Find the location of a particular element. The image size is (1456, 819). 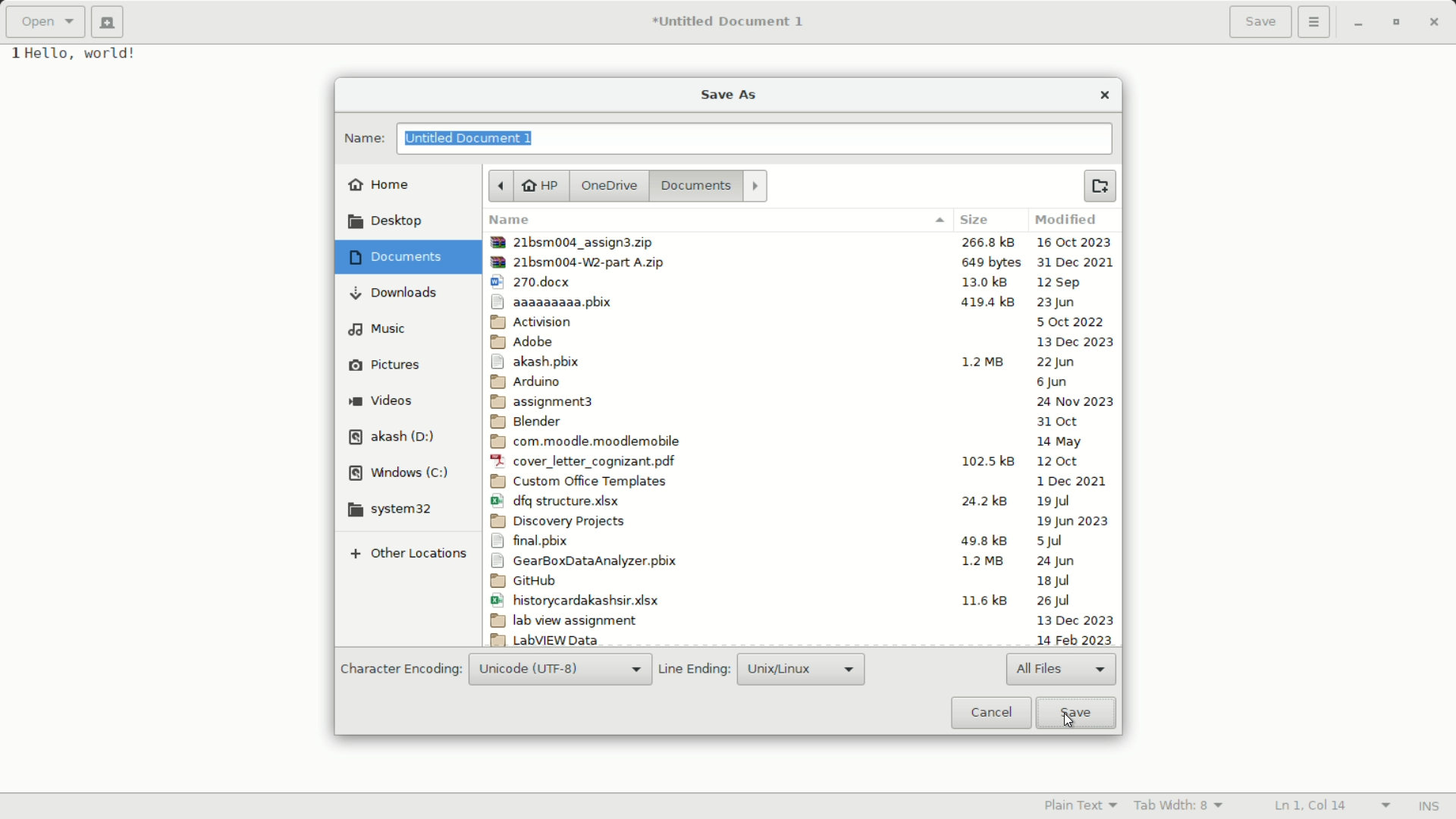

line encoding is located at coordinates (695, 671).